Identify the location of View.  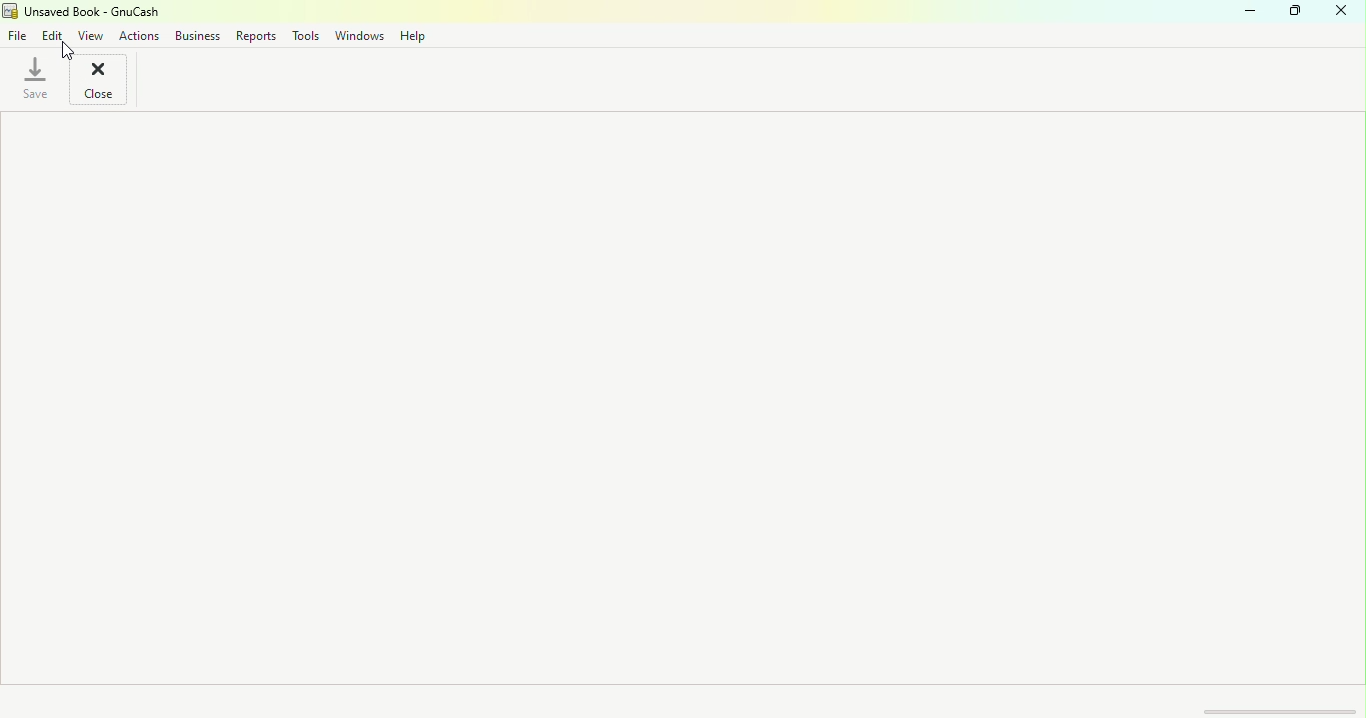
(92, 36).